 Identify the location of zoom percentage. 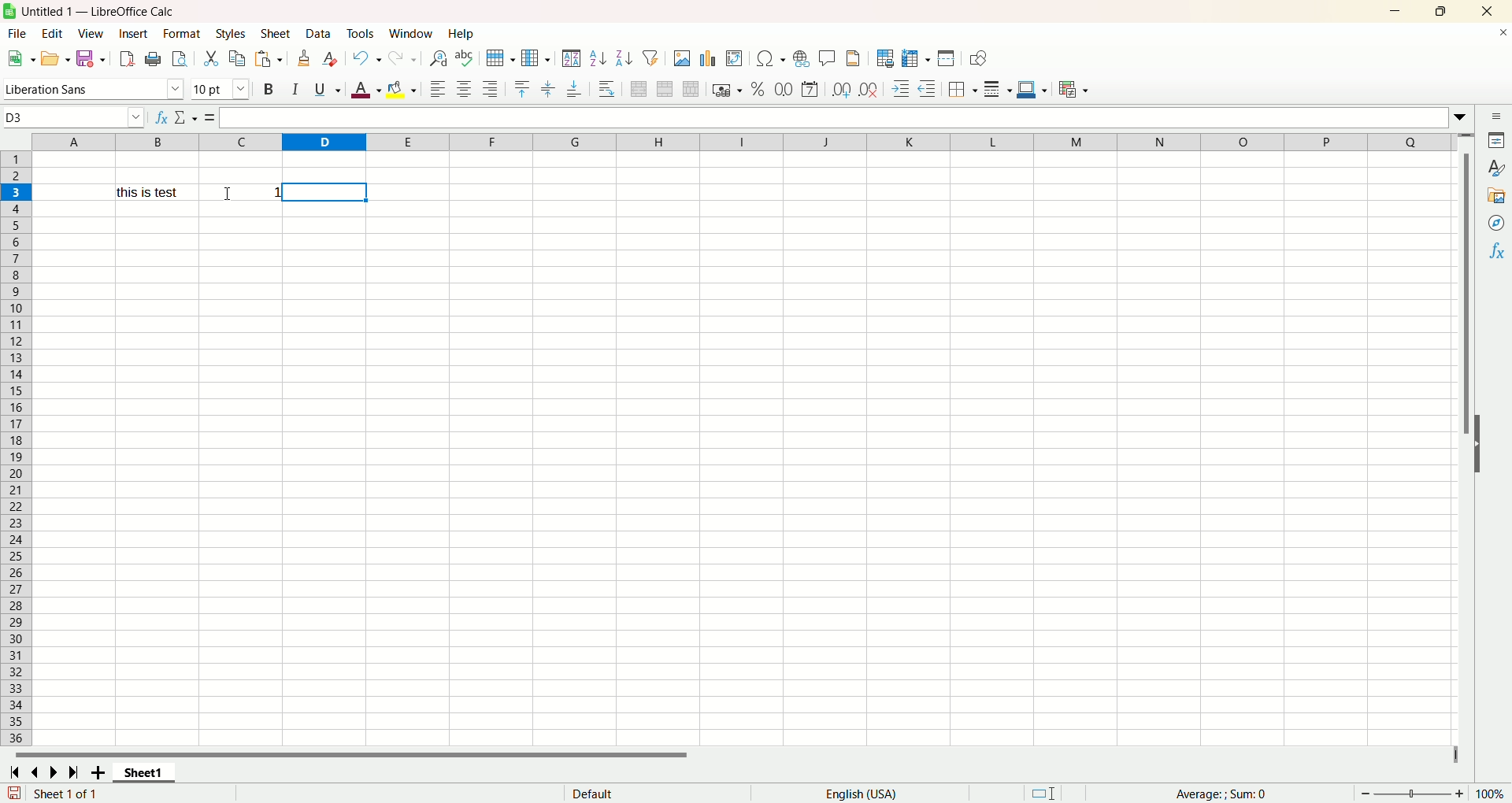
(1492, 794).